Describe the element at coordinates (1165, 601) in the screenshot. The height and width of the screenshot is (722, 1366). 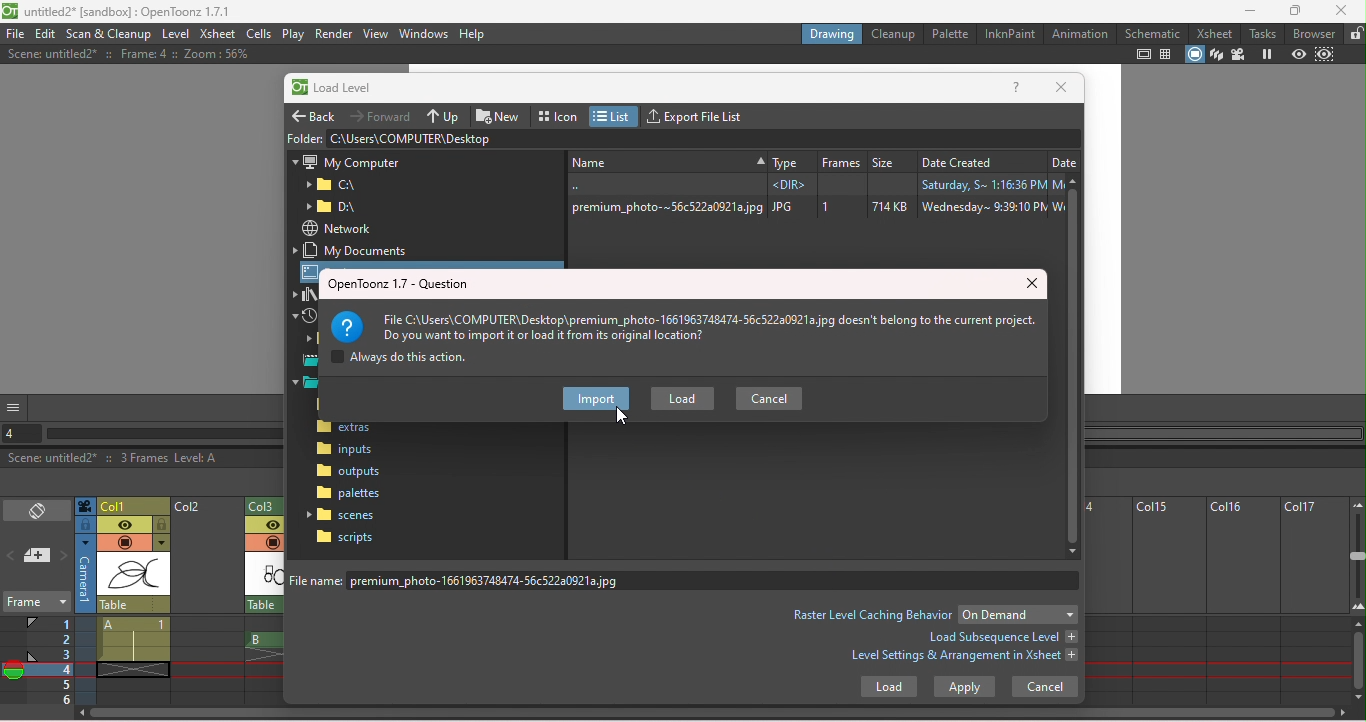
I see `Column 15` at that location.